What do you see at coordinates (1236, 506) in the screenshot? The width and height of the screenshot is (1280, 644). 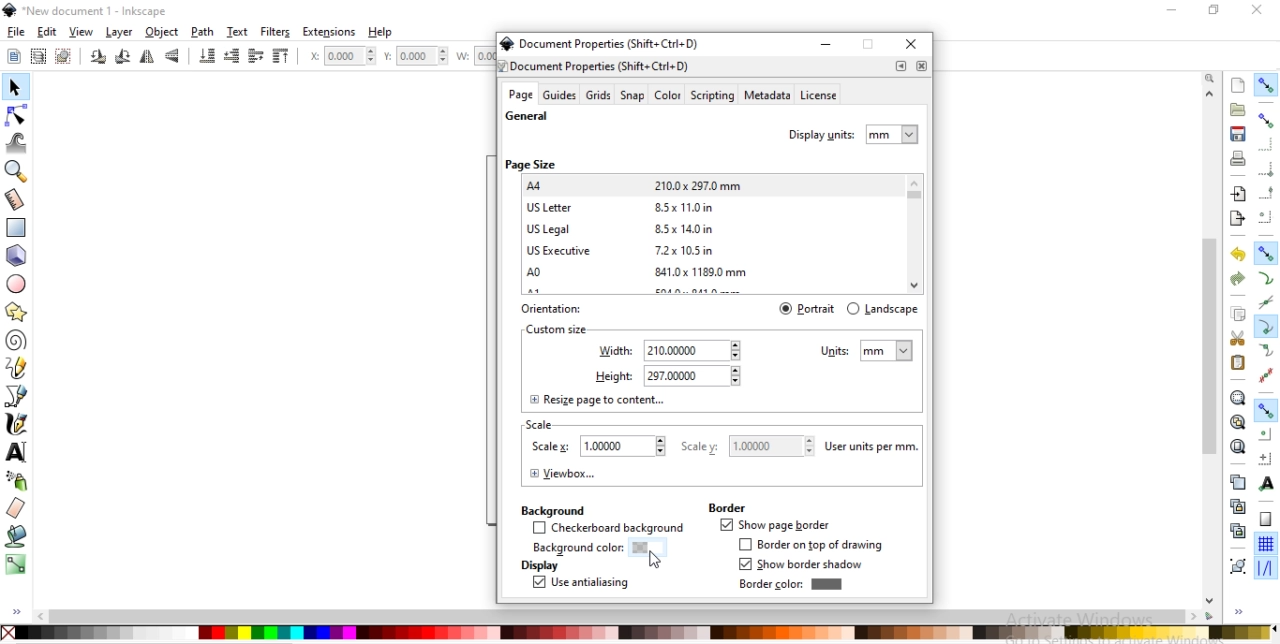 I see `create a clone` at bounding box center [1236, 506].